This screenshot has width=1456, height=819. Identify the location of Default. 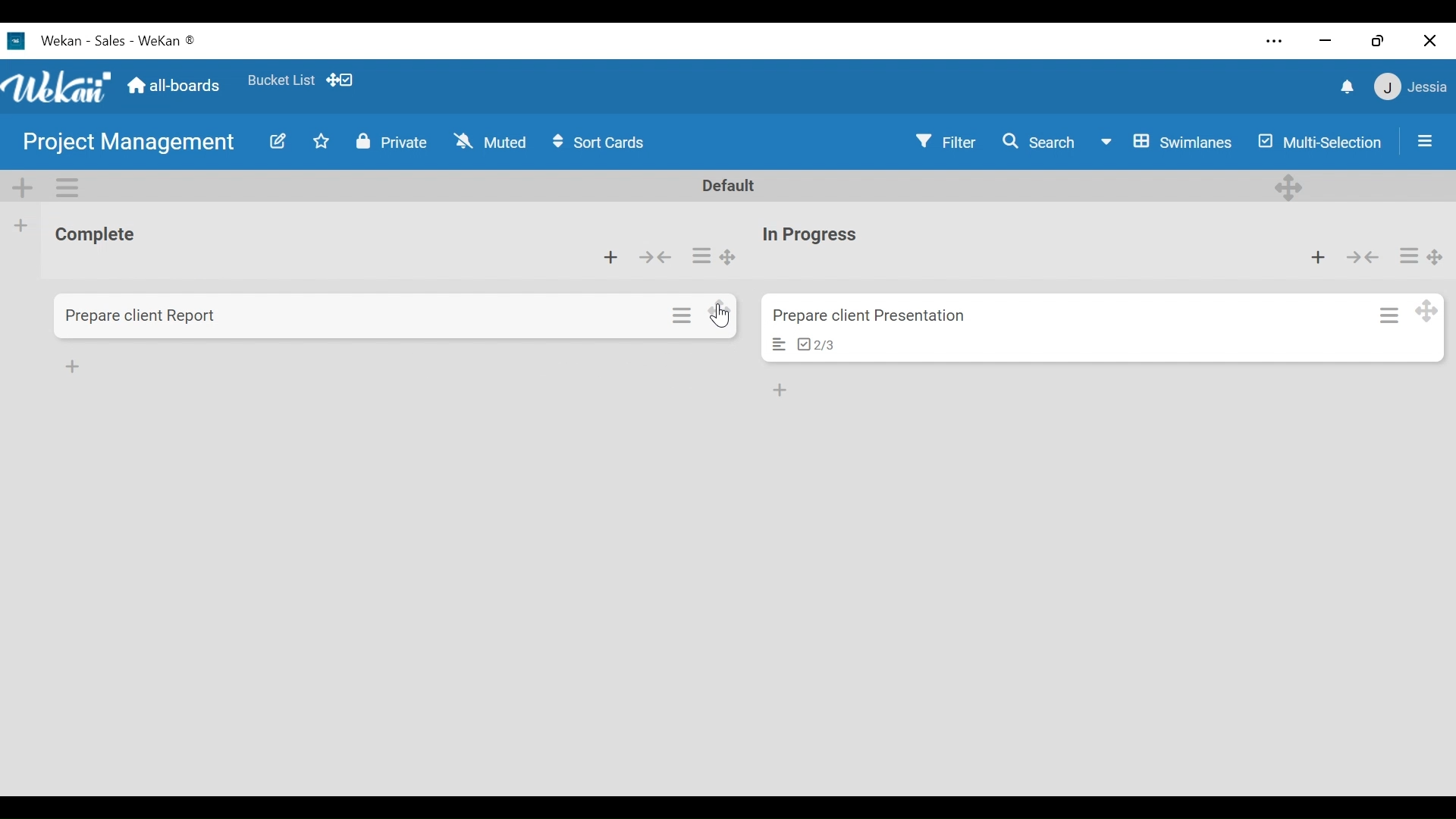
(731, 186).